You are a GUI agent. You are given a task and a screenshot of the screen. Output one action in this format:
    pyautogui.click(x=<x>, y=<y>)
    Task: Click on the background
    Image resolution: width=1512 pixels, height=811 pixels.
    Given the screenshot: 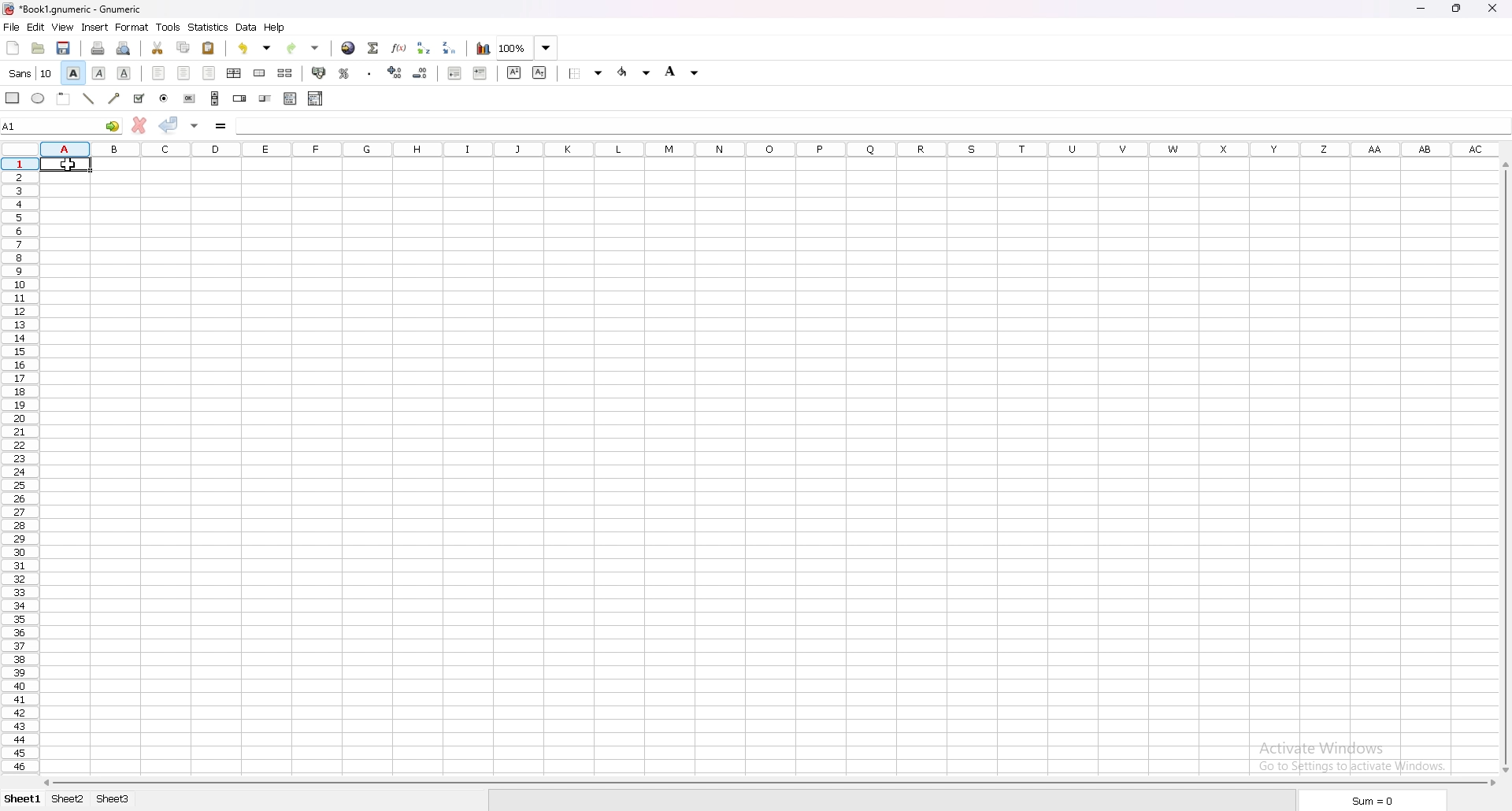 What is the action you would take?
    pyautogui.click(x=634, y=72)
    